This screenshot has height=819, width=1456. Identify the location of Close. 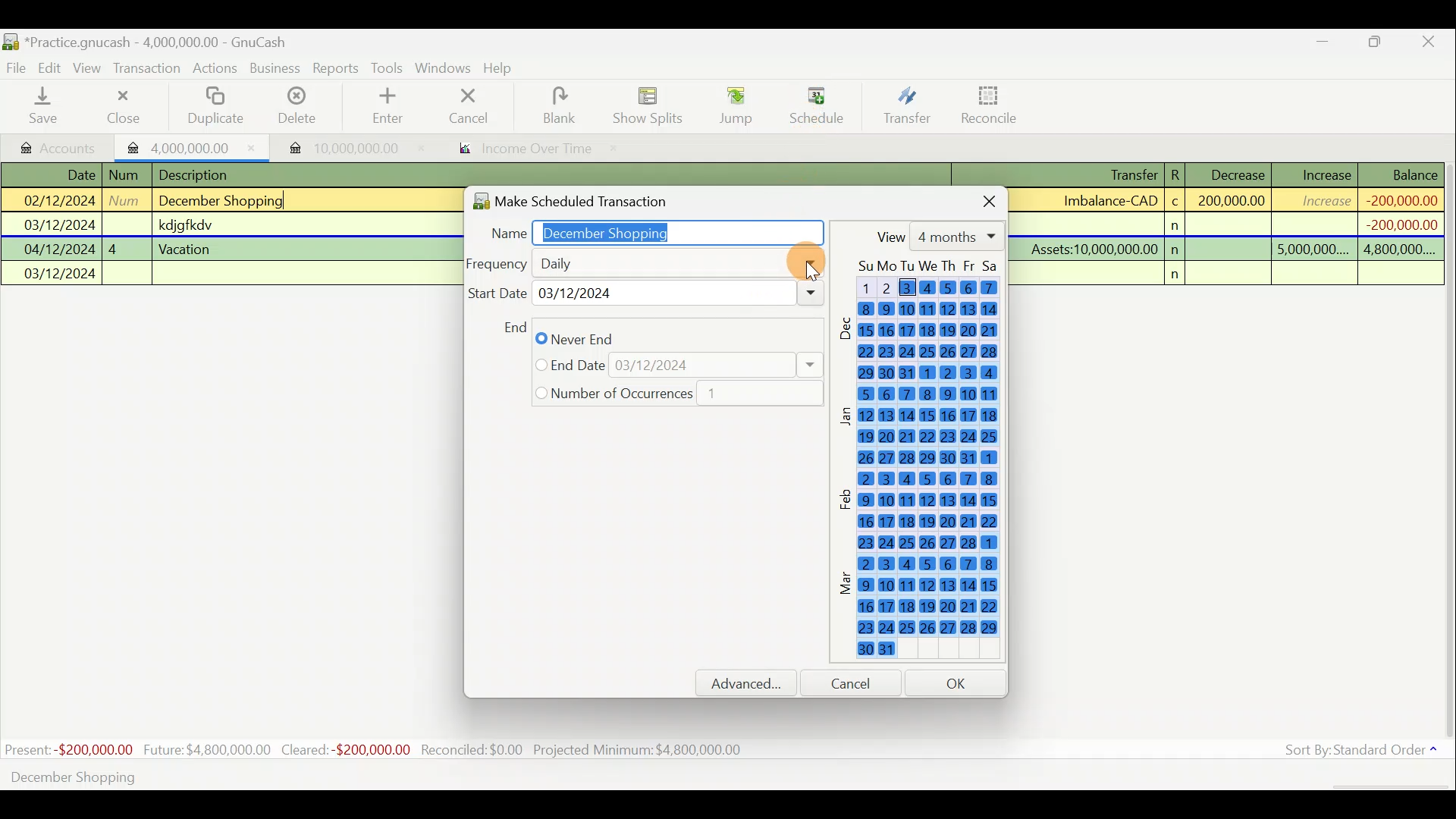
(122, 106).